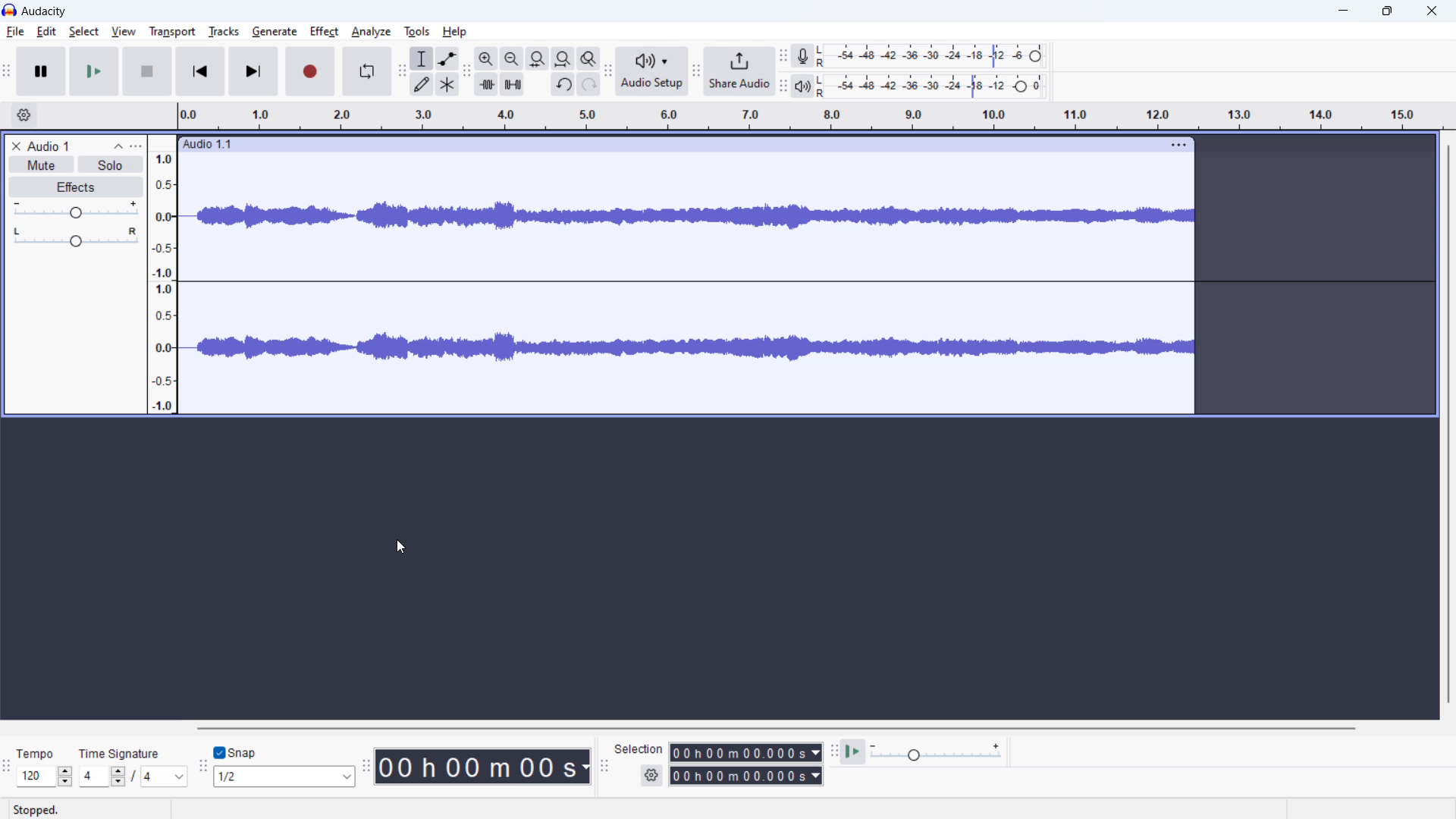  What do you see at coordinates (1447, 425) in the screenshot?
I see `vertical toolbar` at bounding box center [1447, 425].